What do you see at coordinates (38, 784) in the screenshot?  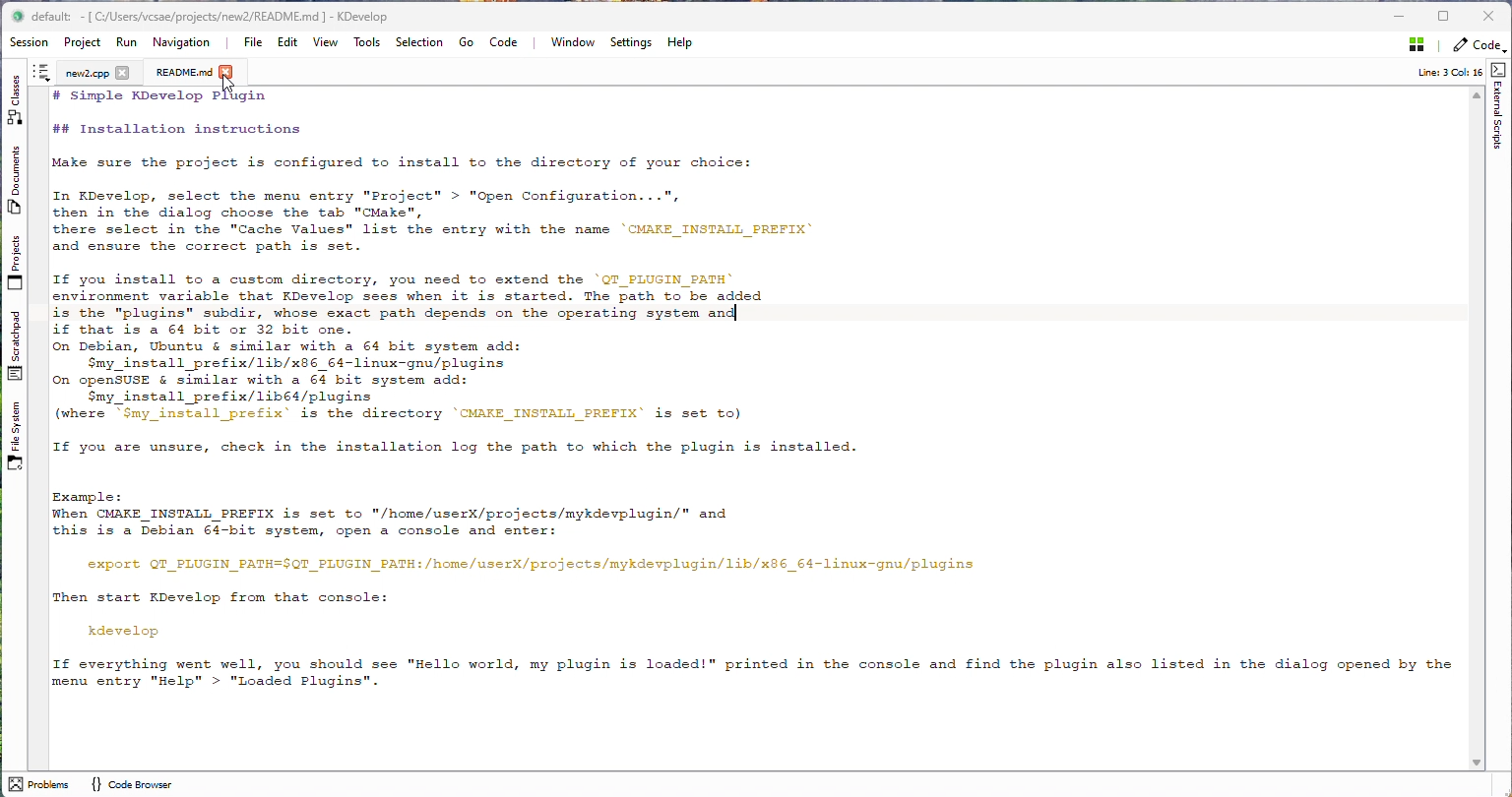 I see `problems` at bounding box center [38, 784].